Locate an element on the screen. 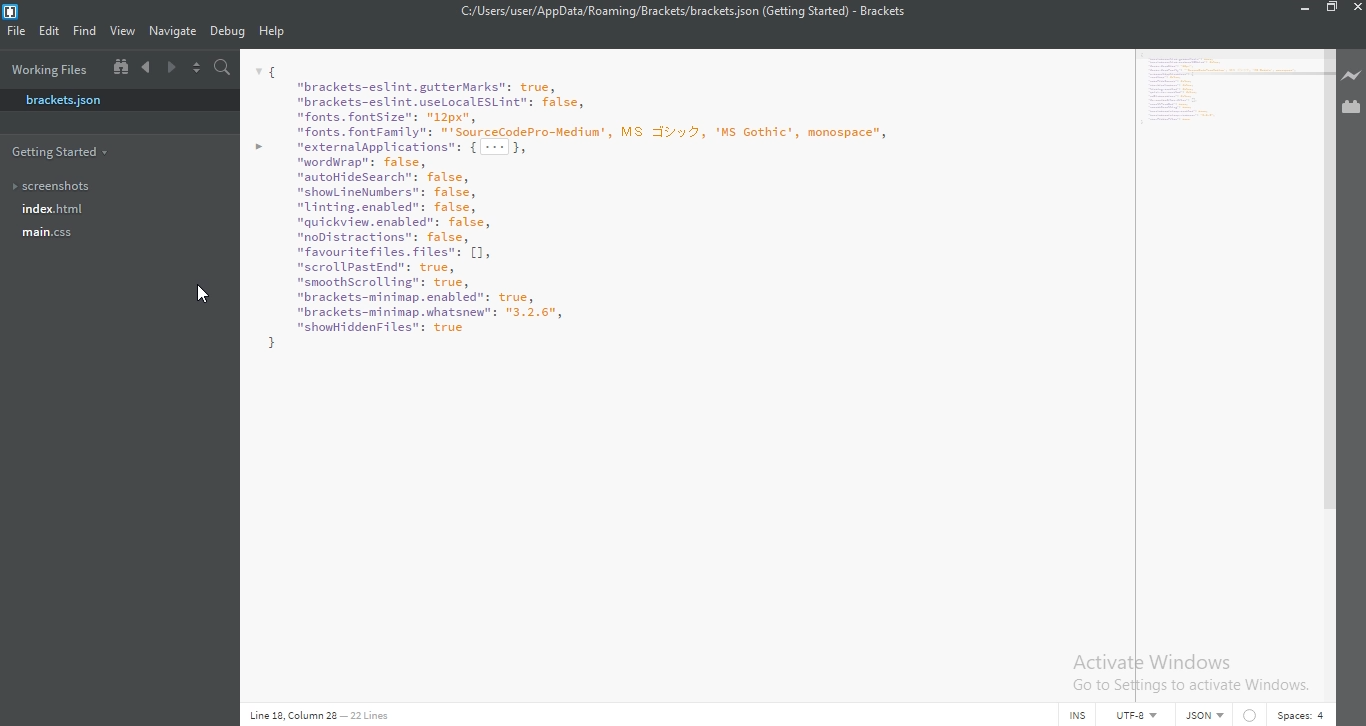  index.html is located at coordinates (53, 209).